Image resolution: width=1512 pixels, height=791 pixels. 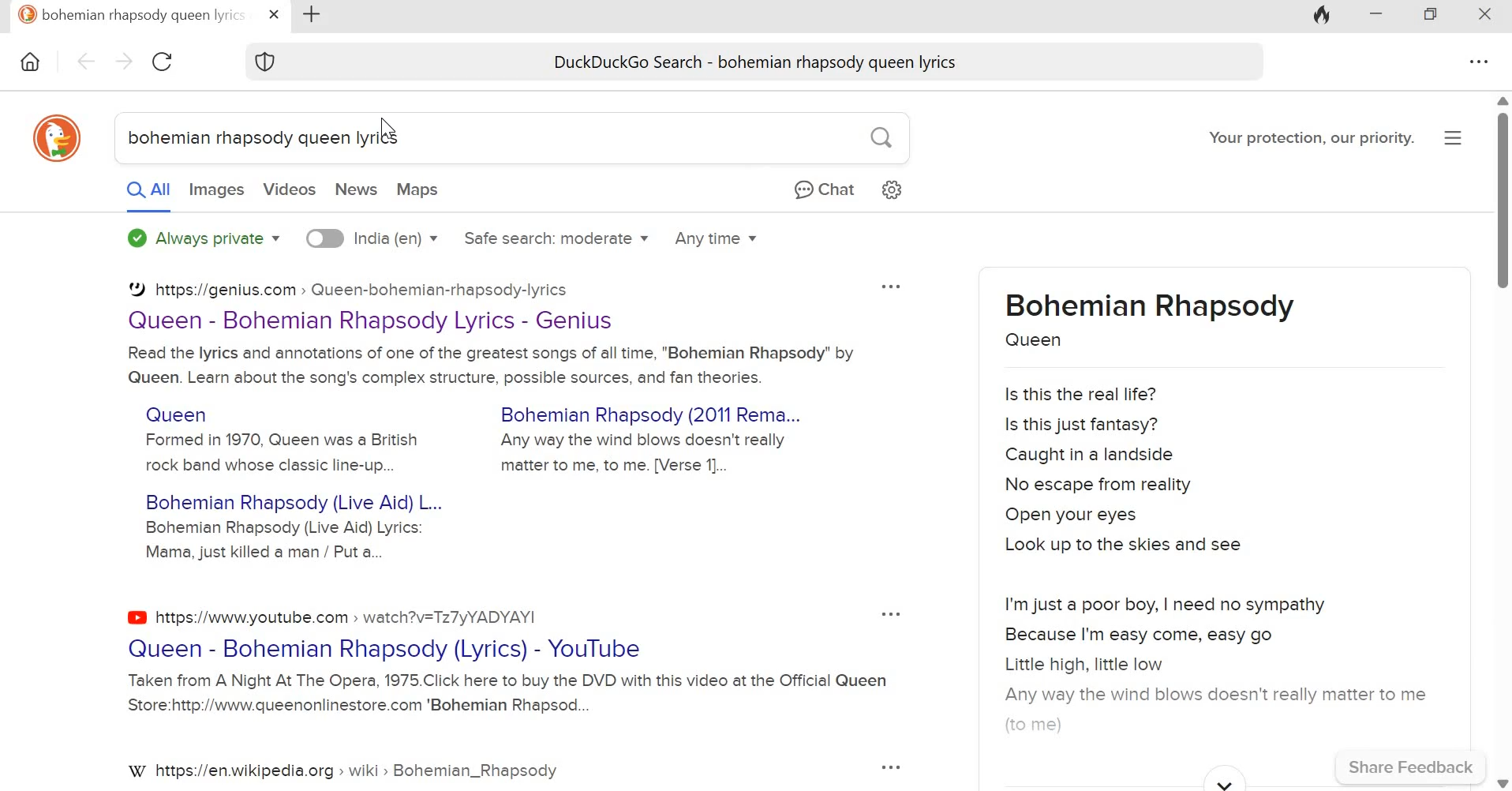 What do you see at coordinates (391, 127) in the screenshot?
I see `cursor` at bounding box center [391, 127].